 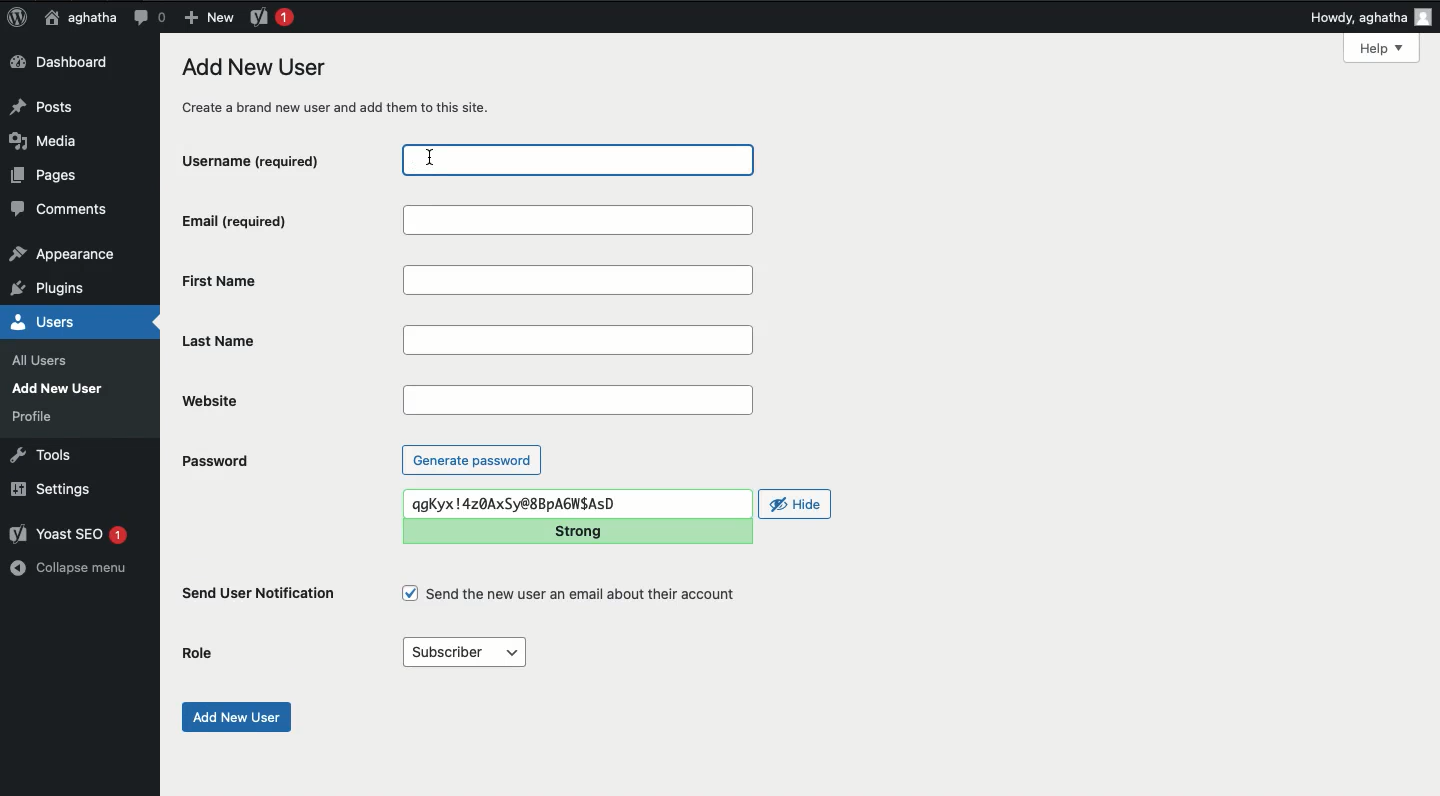 I want to click on Add new user create a brand new user and add them to this site., so click(x=347, y=86).